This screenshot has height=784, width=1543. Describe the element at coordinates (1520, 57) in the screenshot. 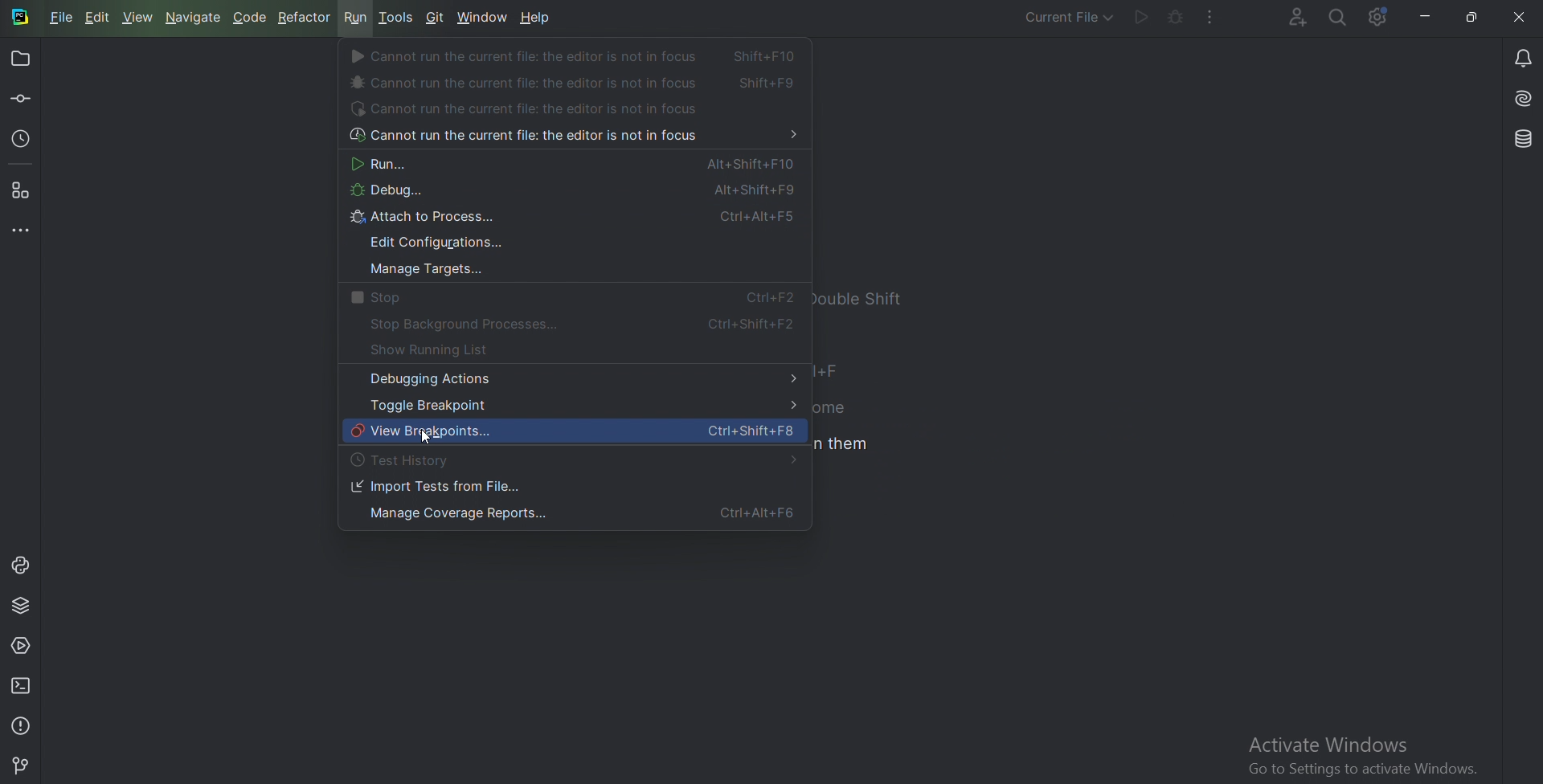

I see `Notification` at that location.